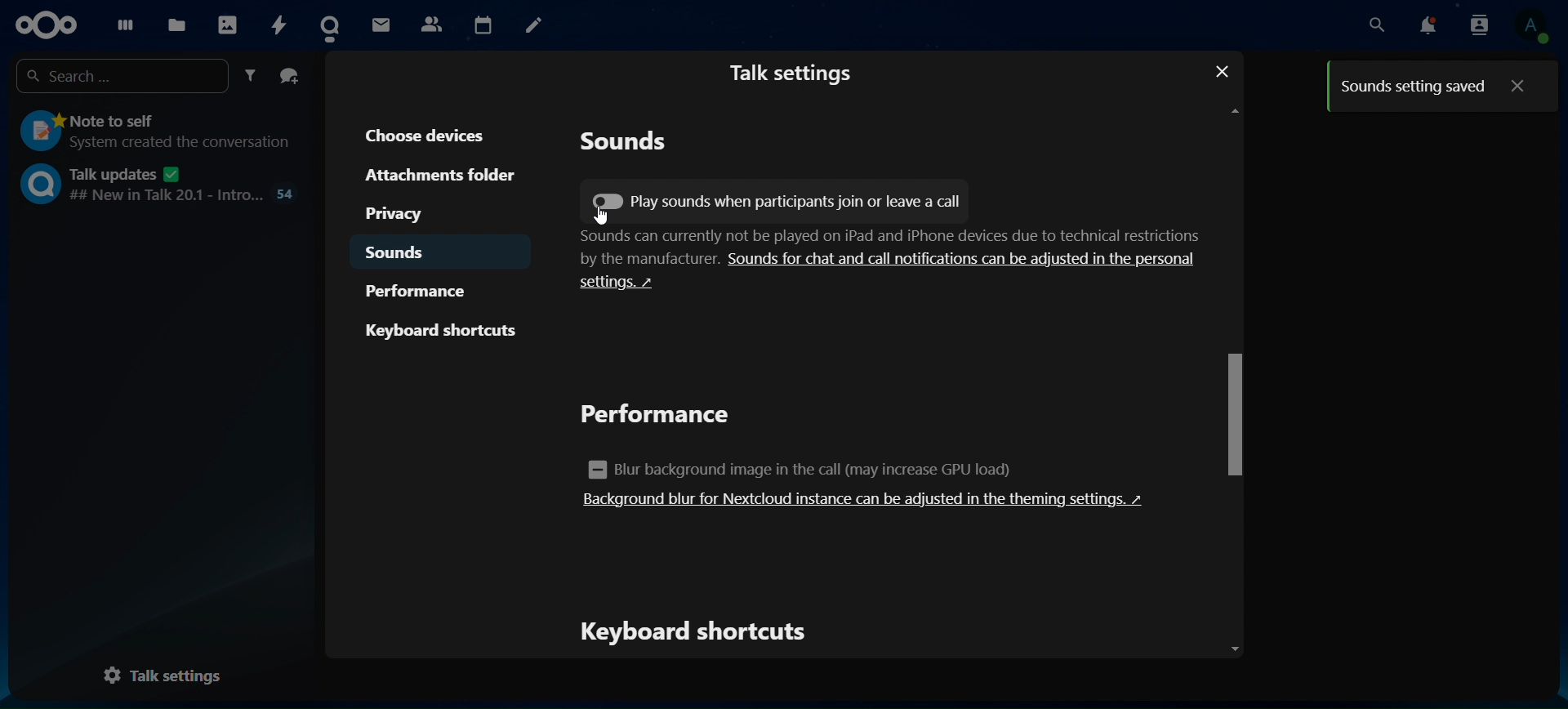 This screenshot has width=1568, height=709. What do you see at coordinates (661, 416) in the screenshot?
I see `performance` at bounding box center [661, 416].